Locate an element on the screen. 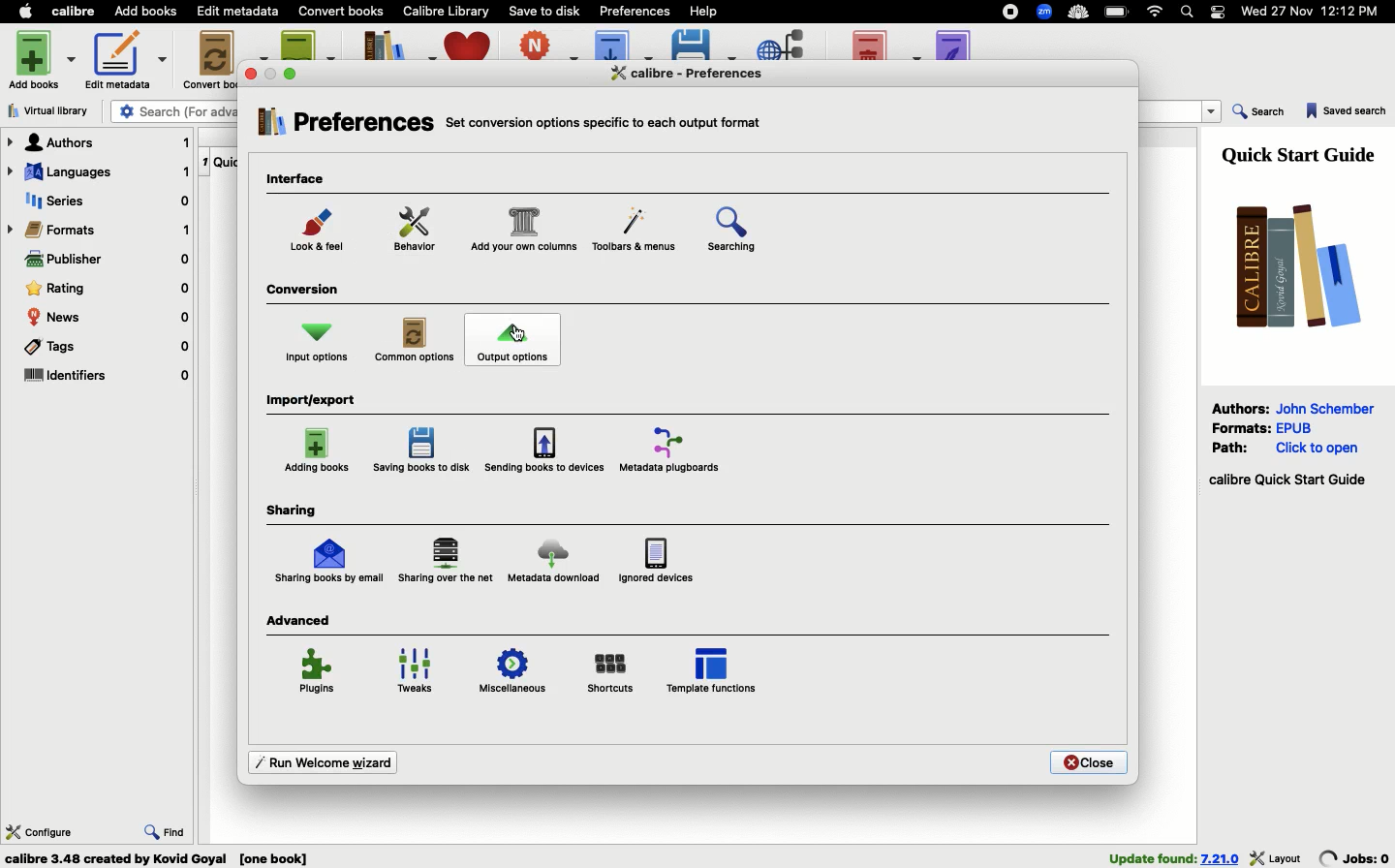 The width and height of the screenshot is (1395, 868). cursor is located at coordinates (521, 335).